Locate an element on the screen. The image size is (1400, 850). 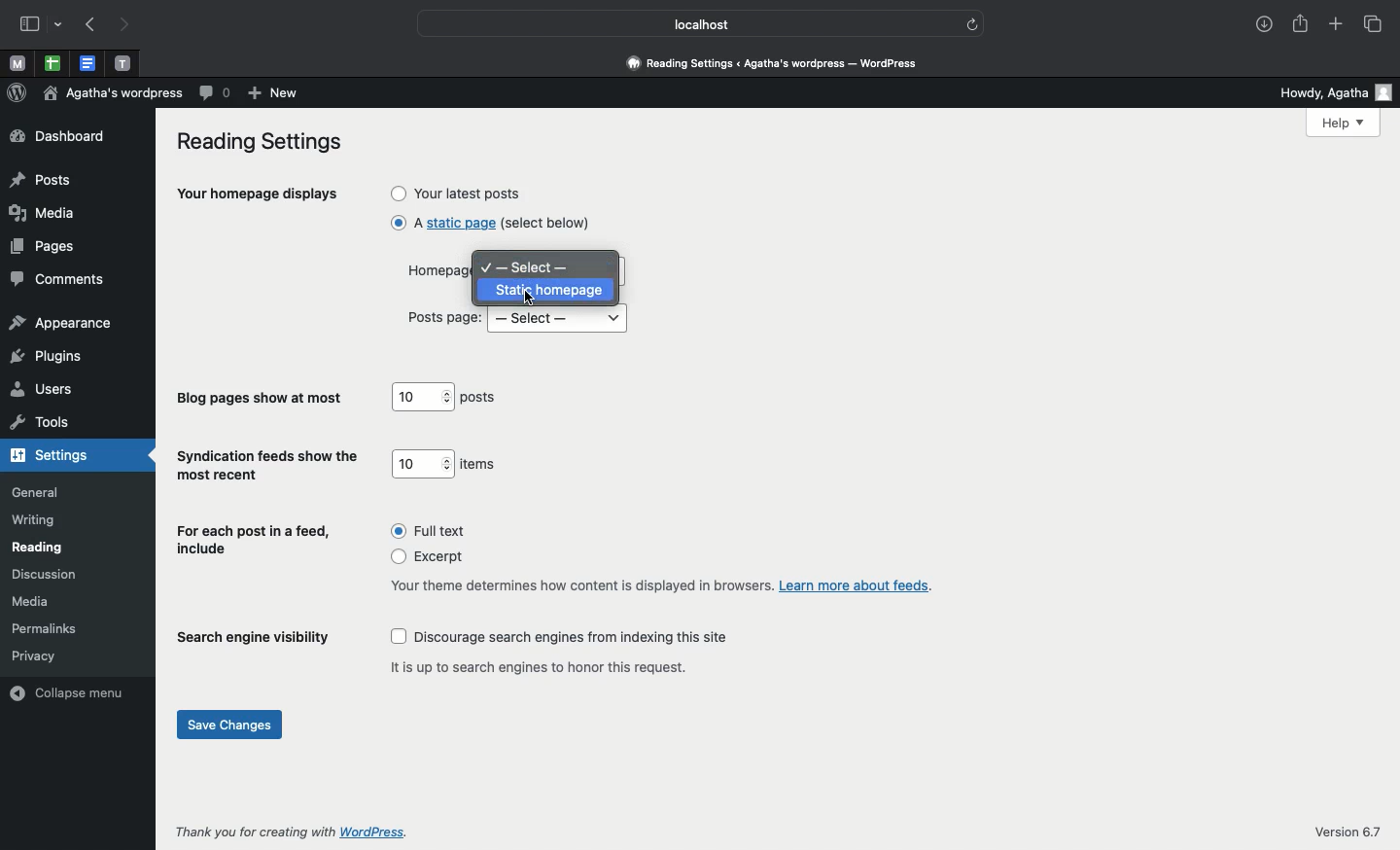
reading settings < Agatha's wordpress - wordpress is located at coordinates (783, 64).